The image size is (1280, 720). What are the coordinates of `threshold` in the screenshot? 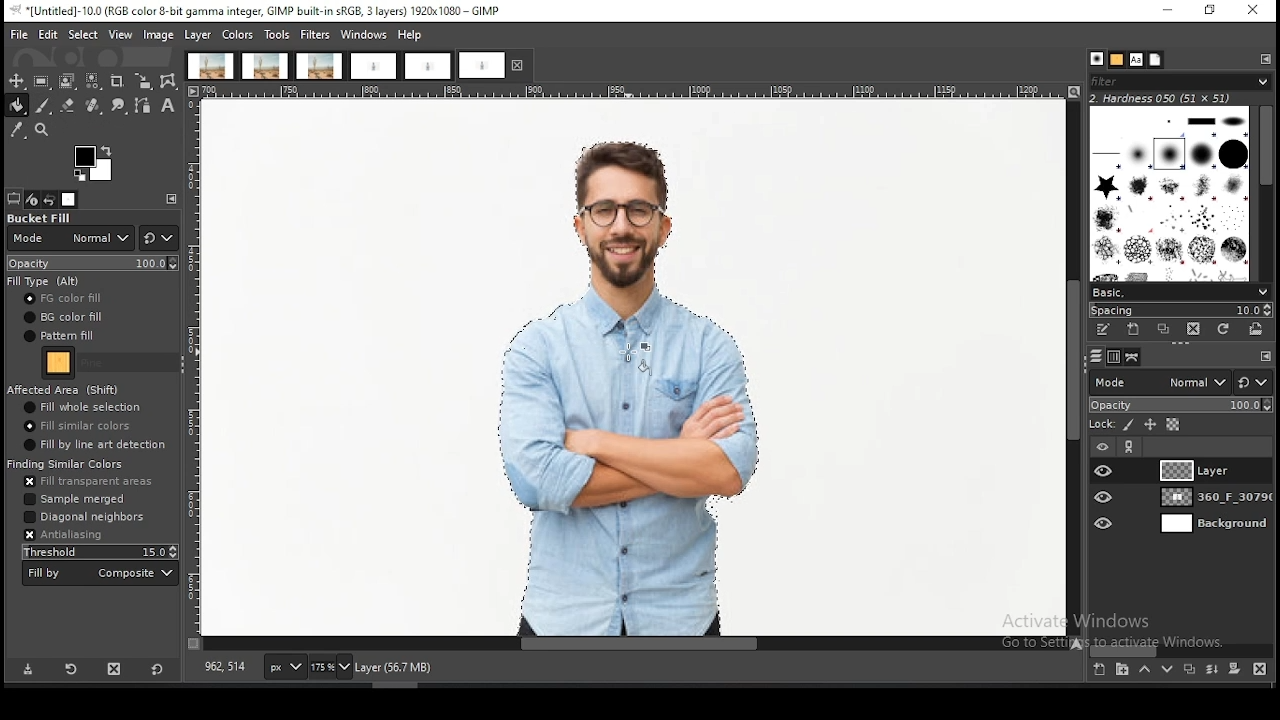 It's located at (98, 551).